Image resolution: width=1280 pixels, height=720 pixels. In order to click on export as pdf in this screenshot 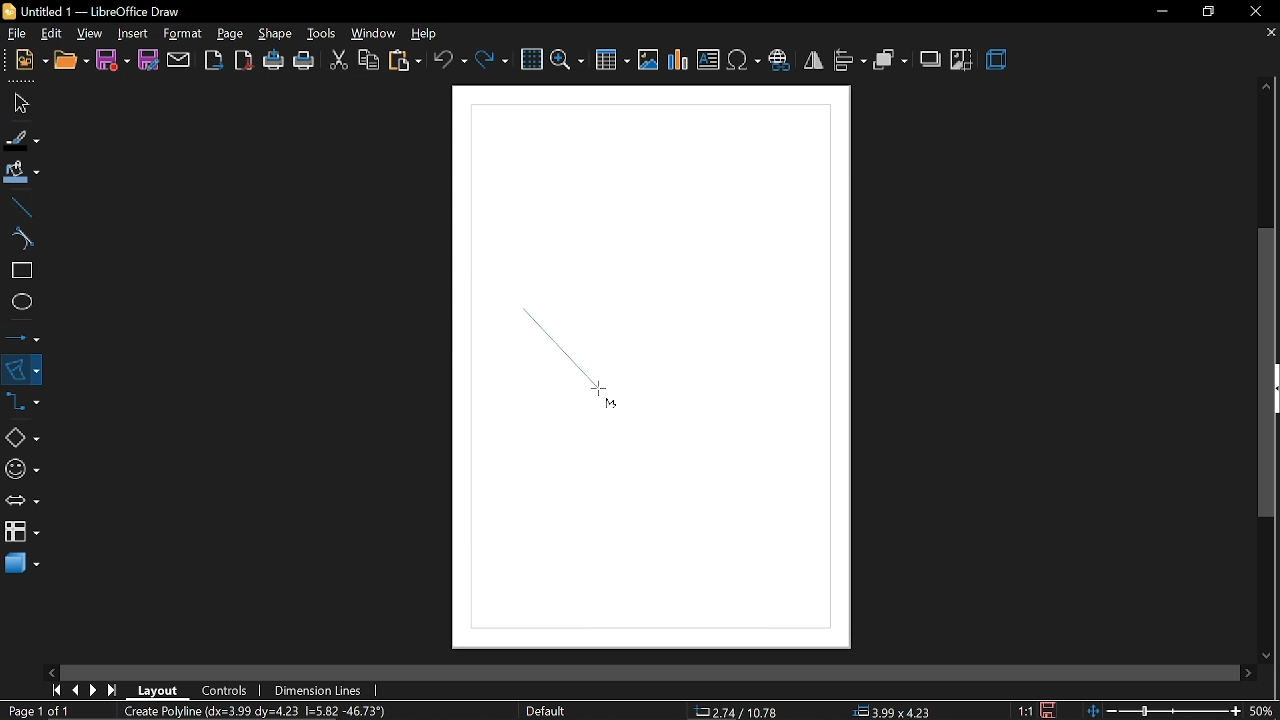, I will do `click(245, 61)`.